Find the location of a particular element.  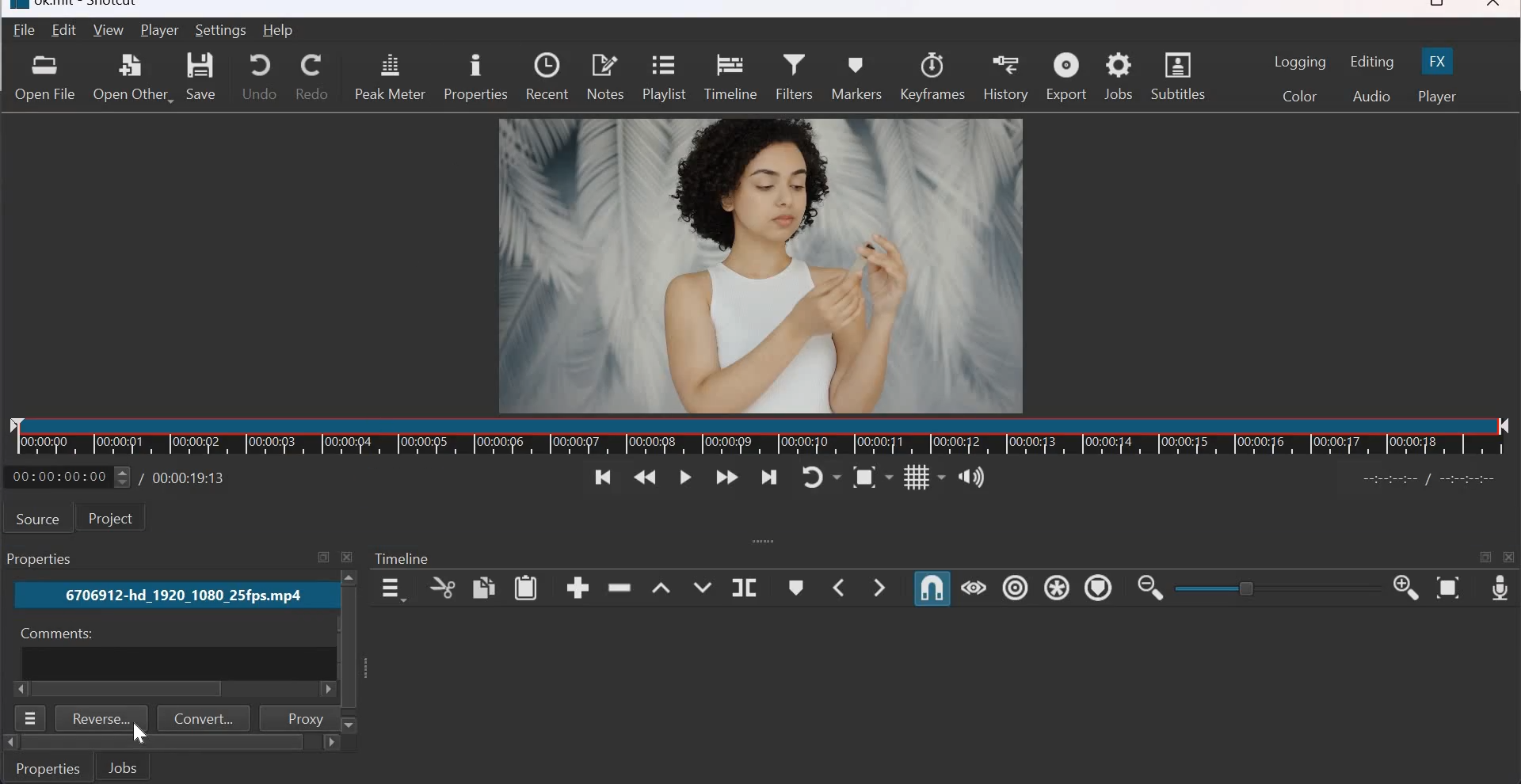

cursor is located at coordinates (138, 733).